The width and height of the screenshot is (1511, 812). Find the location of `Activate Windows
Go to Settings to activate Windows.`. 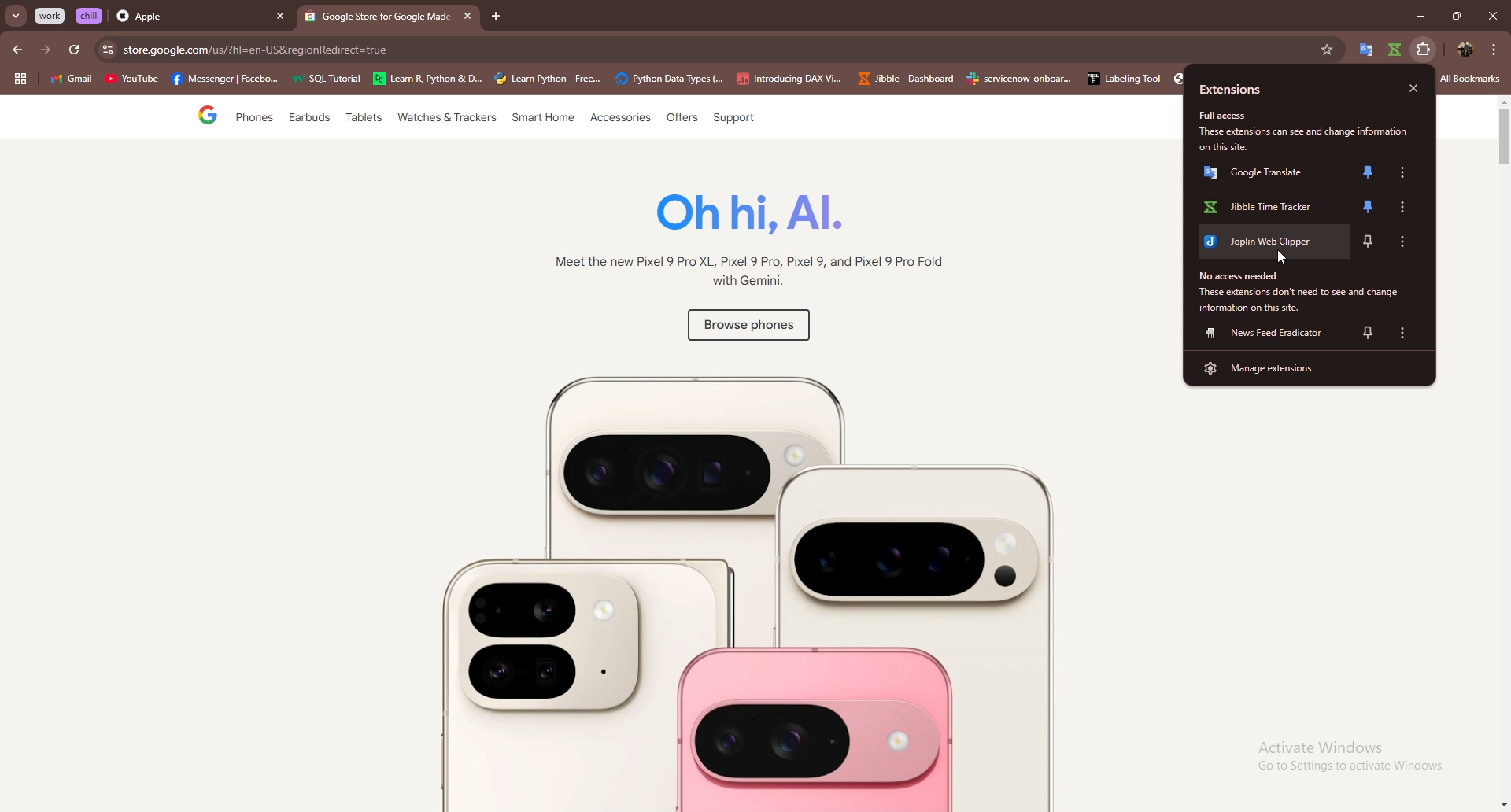

Activate Windows
Go to Settings to activate Windows. is located at coordinates (1339, 756).